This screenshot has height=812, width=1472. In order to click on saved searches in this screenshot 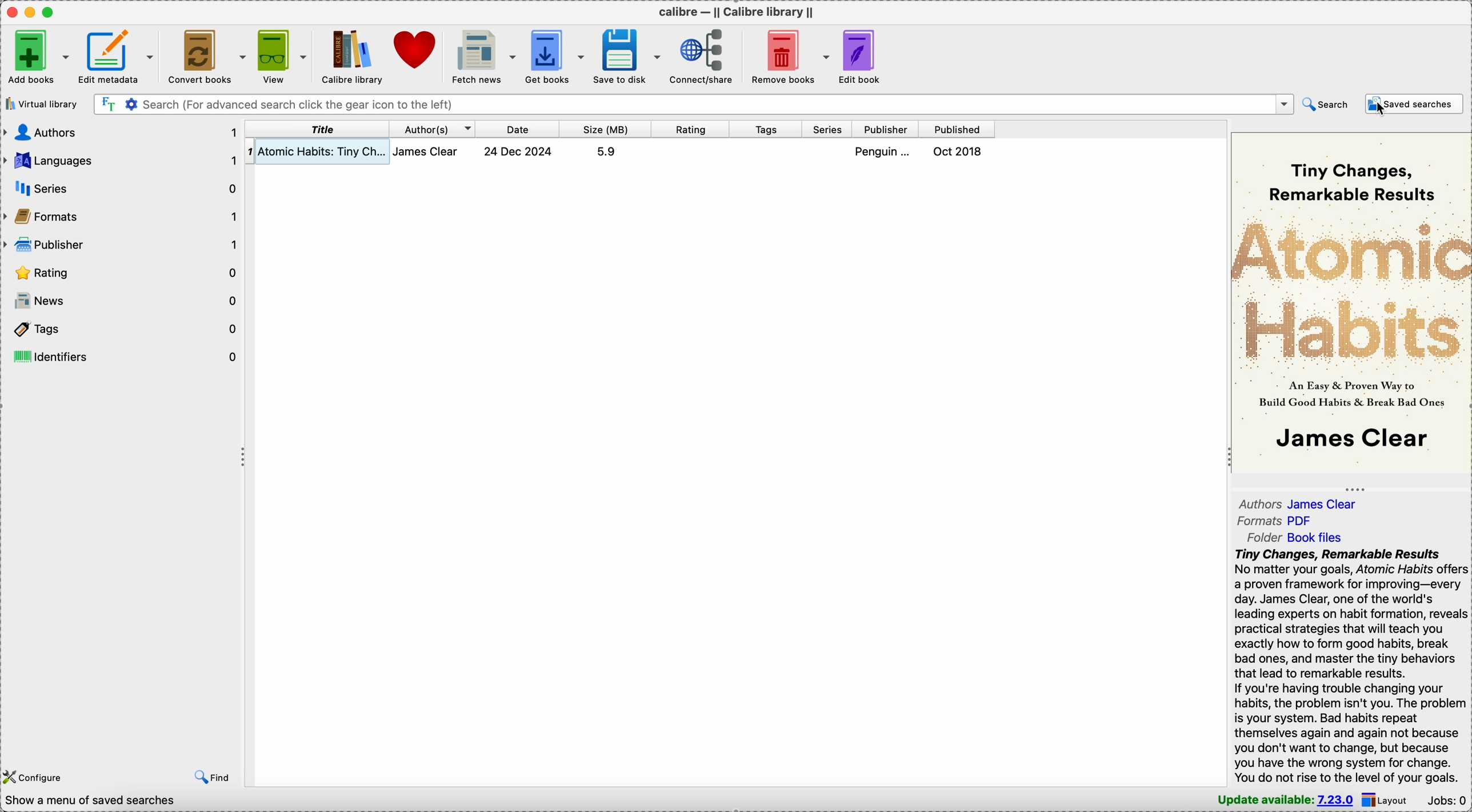, I will do `click(1414, 104)`.